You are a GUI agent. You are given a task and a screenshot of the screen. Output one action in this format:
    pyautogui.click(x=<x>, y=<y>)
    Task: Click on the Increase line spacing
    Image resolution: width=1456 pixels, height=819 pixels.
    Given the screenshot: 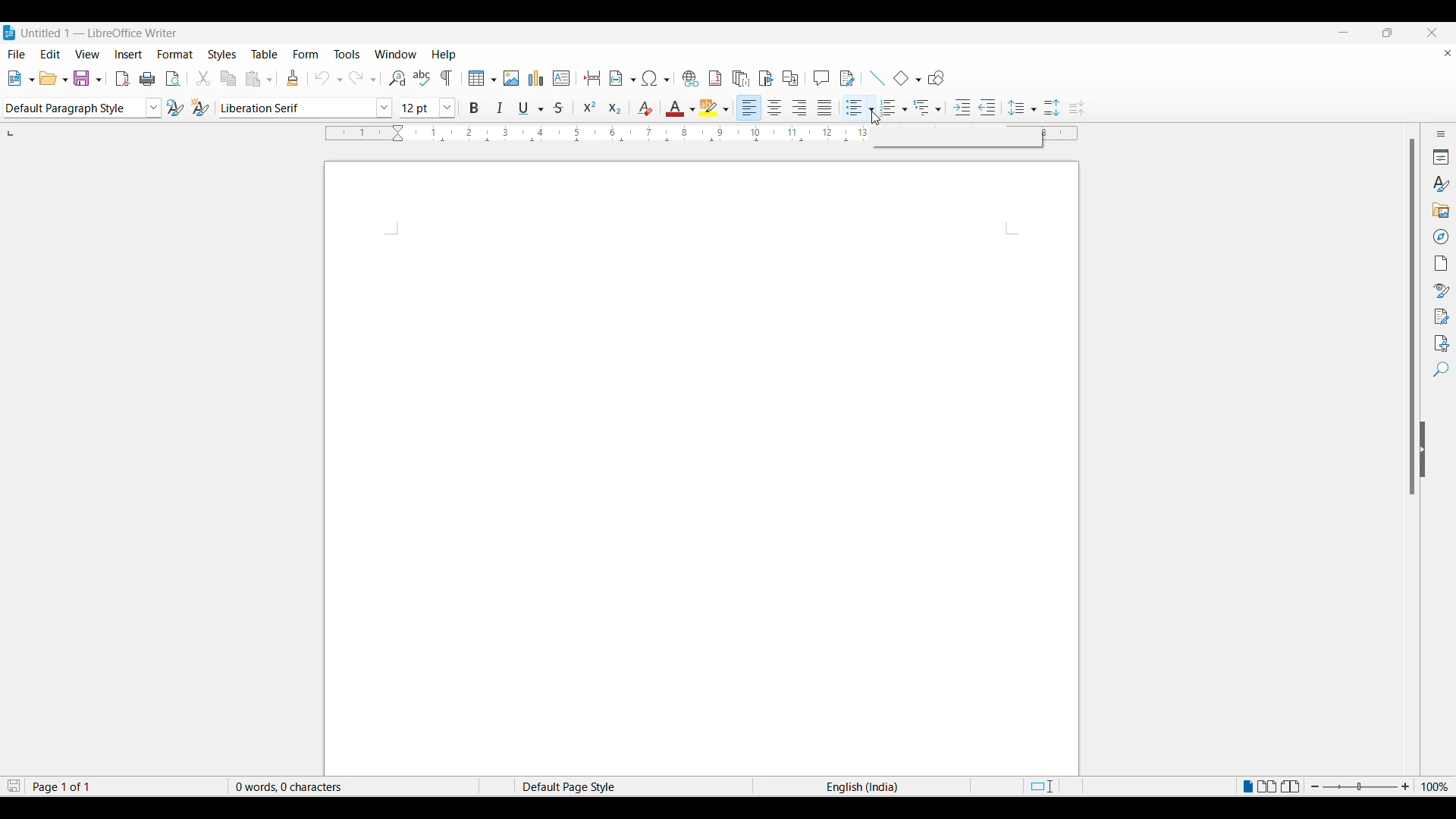 What is the action you would take?
    pyautogui.click(x=1050, y=105)
    